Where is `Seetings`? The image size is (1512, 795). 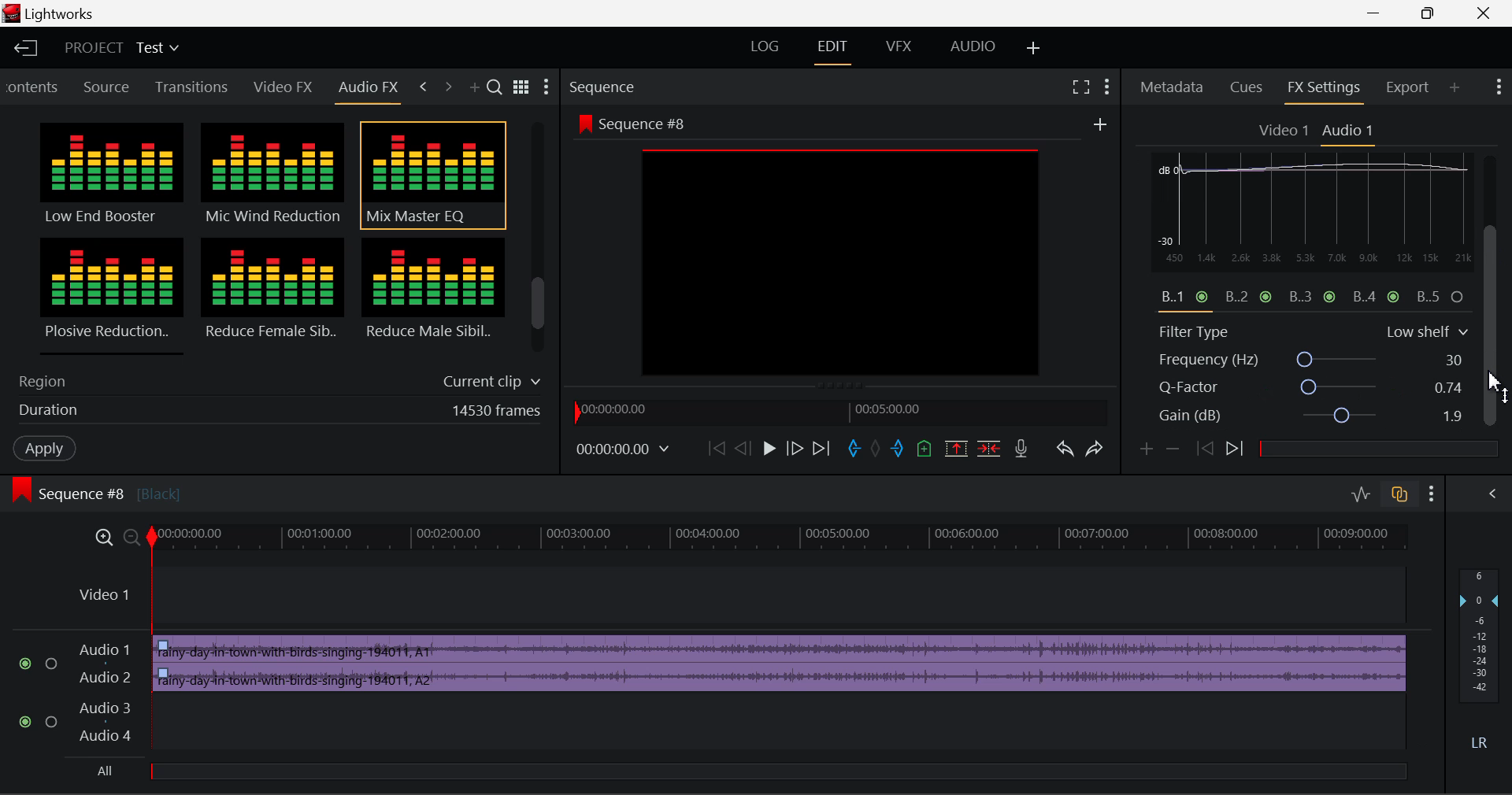
Seetings is located at coordinates (1470, 167).